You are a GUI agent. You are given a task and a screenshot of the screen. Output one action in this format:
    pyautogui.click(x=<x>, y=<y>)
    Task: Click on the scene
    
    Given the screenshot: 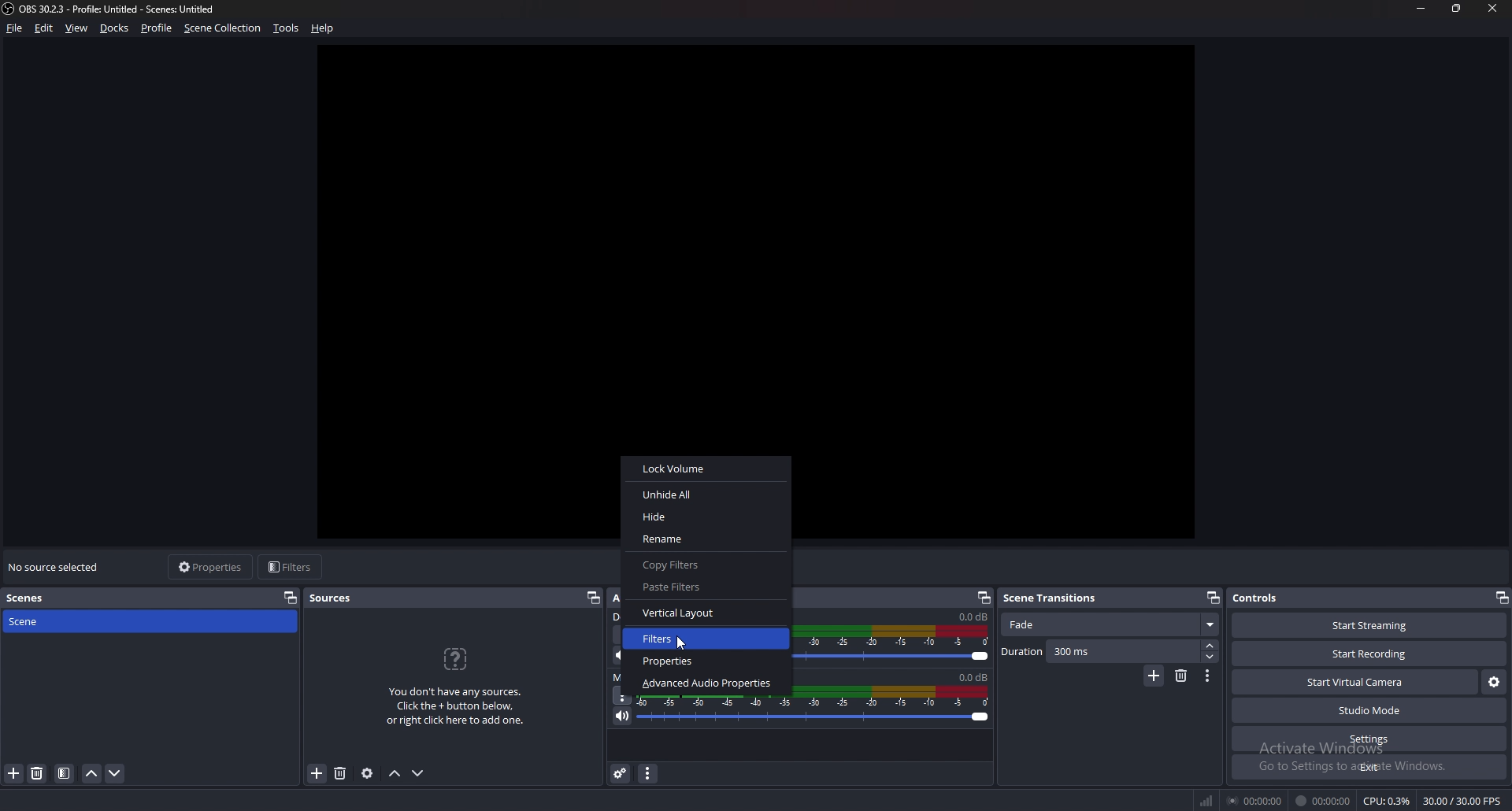 What is the action you would take?
    pyautogui.click(x=46, y=621)
    